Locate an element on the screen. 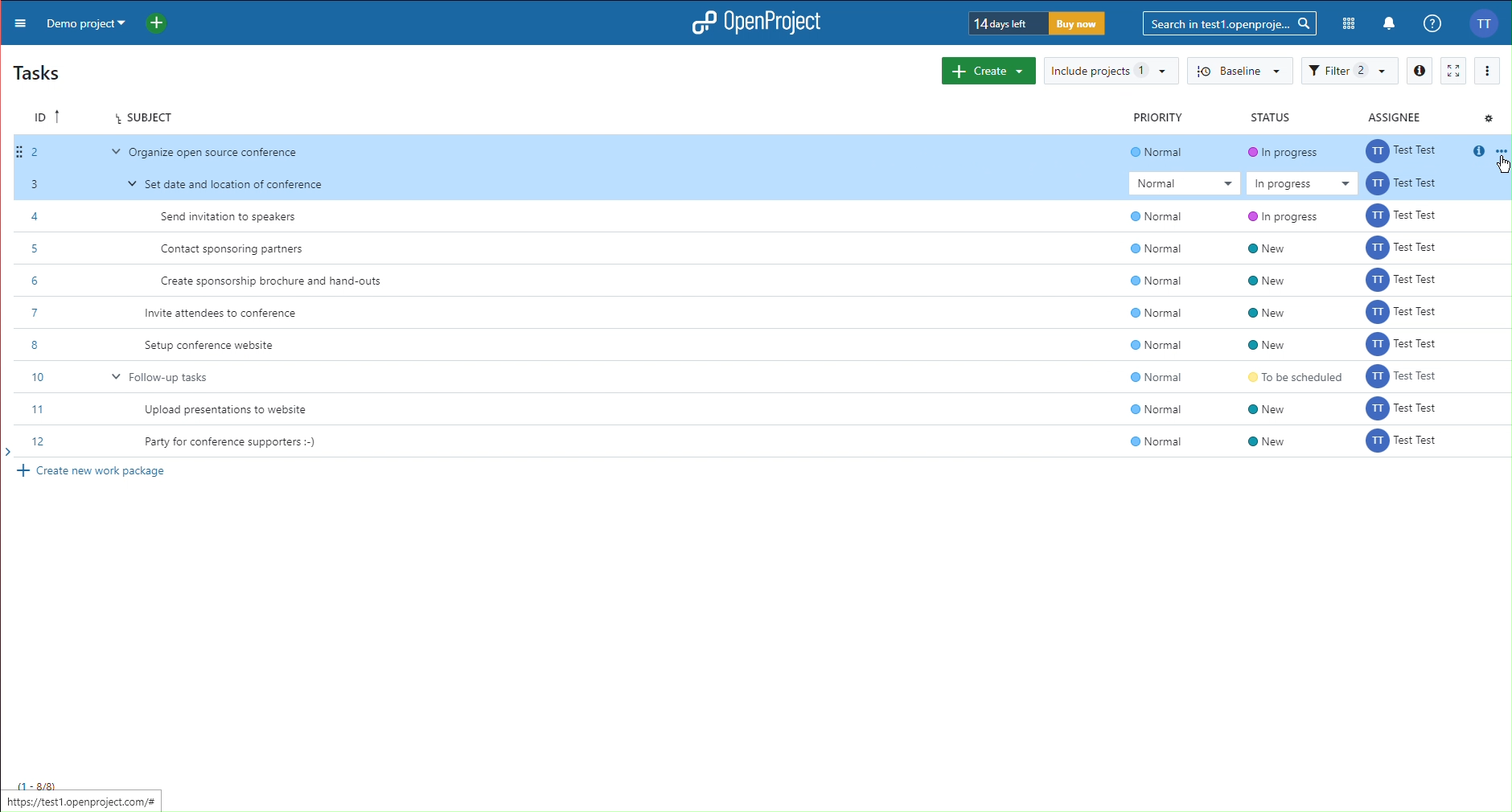  Invite attendees to conference is located at coordinates (223, 314).